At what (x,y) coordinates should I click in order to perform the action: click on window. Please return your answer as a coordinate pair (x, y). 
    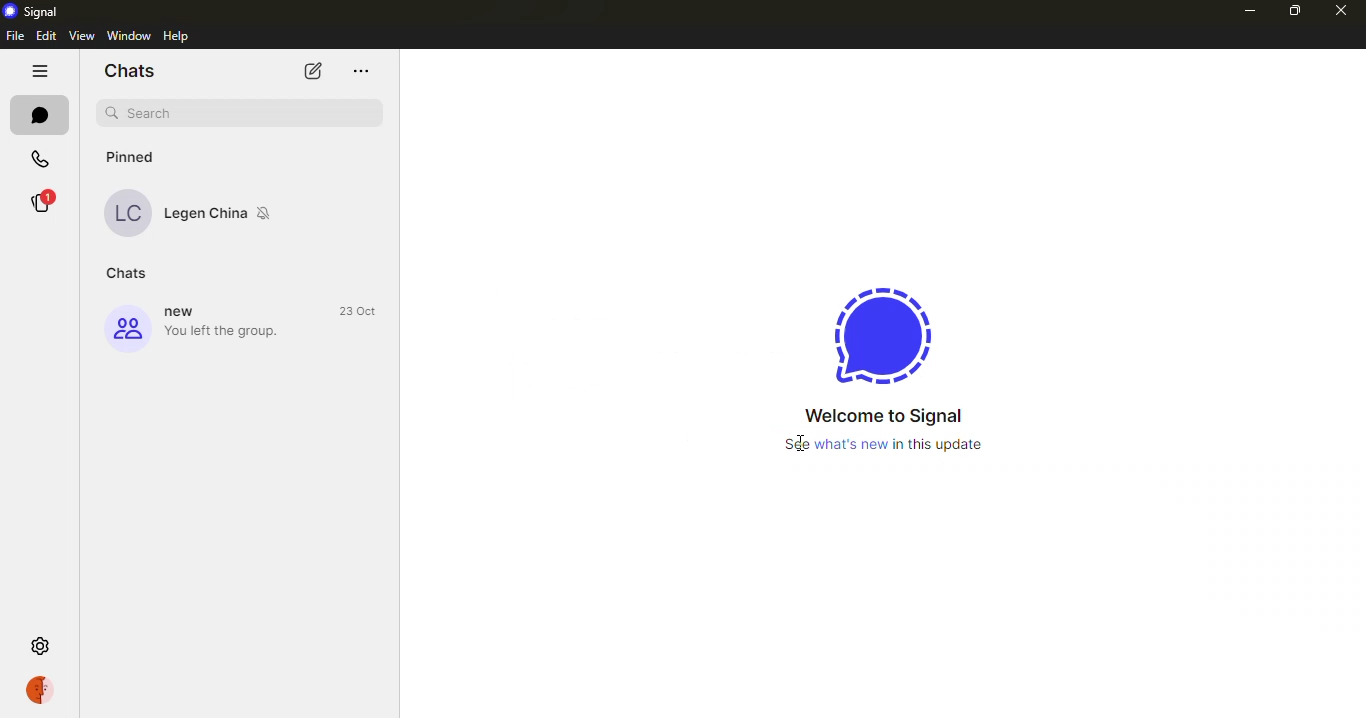
    Looking at the image, I should click on (129, 35).